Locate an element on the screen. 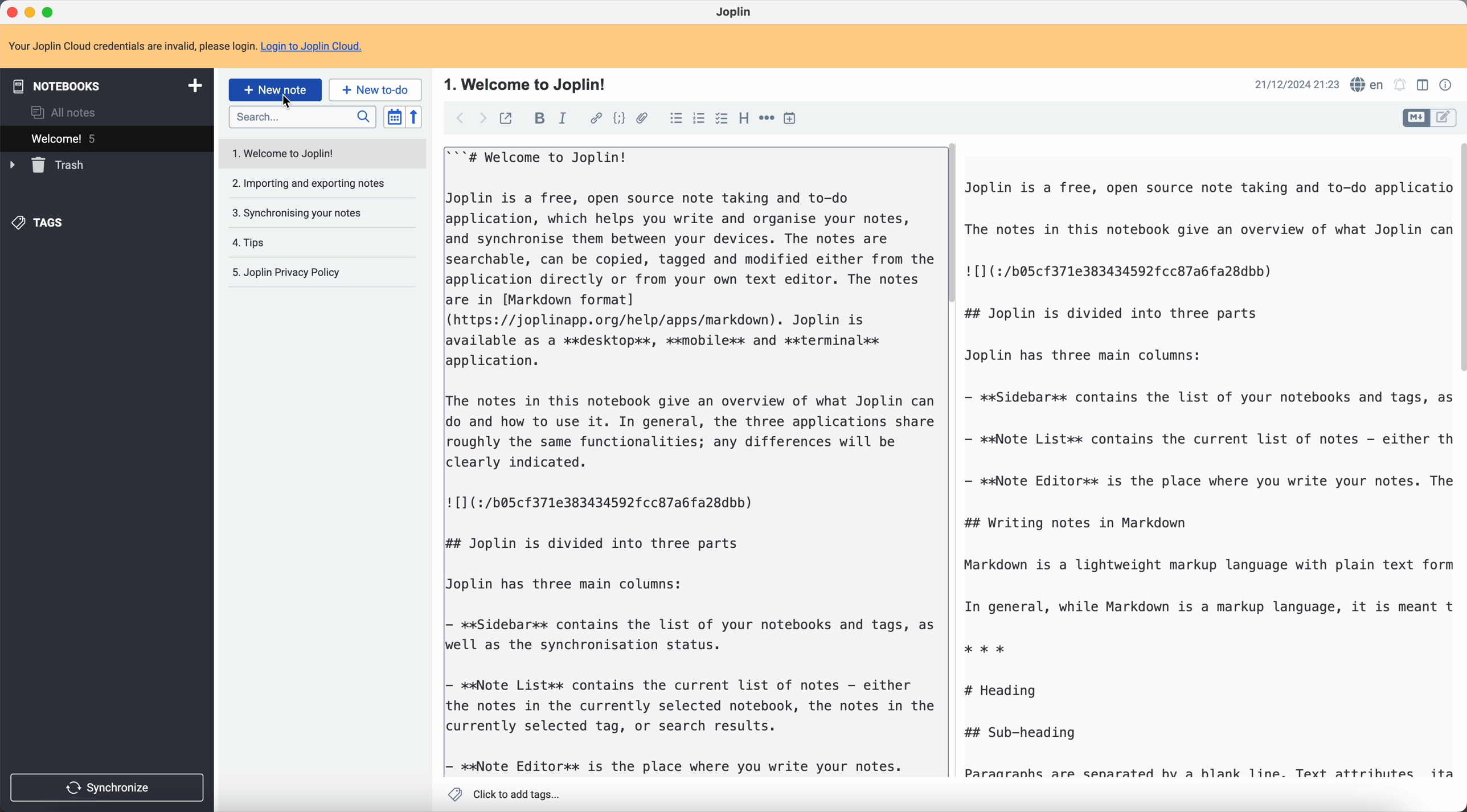 Image resolution: width=1467 pixels, height=812 pixels. back is located at coordinates (460, 117).